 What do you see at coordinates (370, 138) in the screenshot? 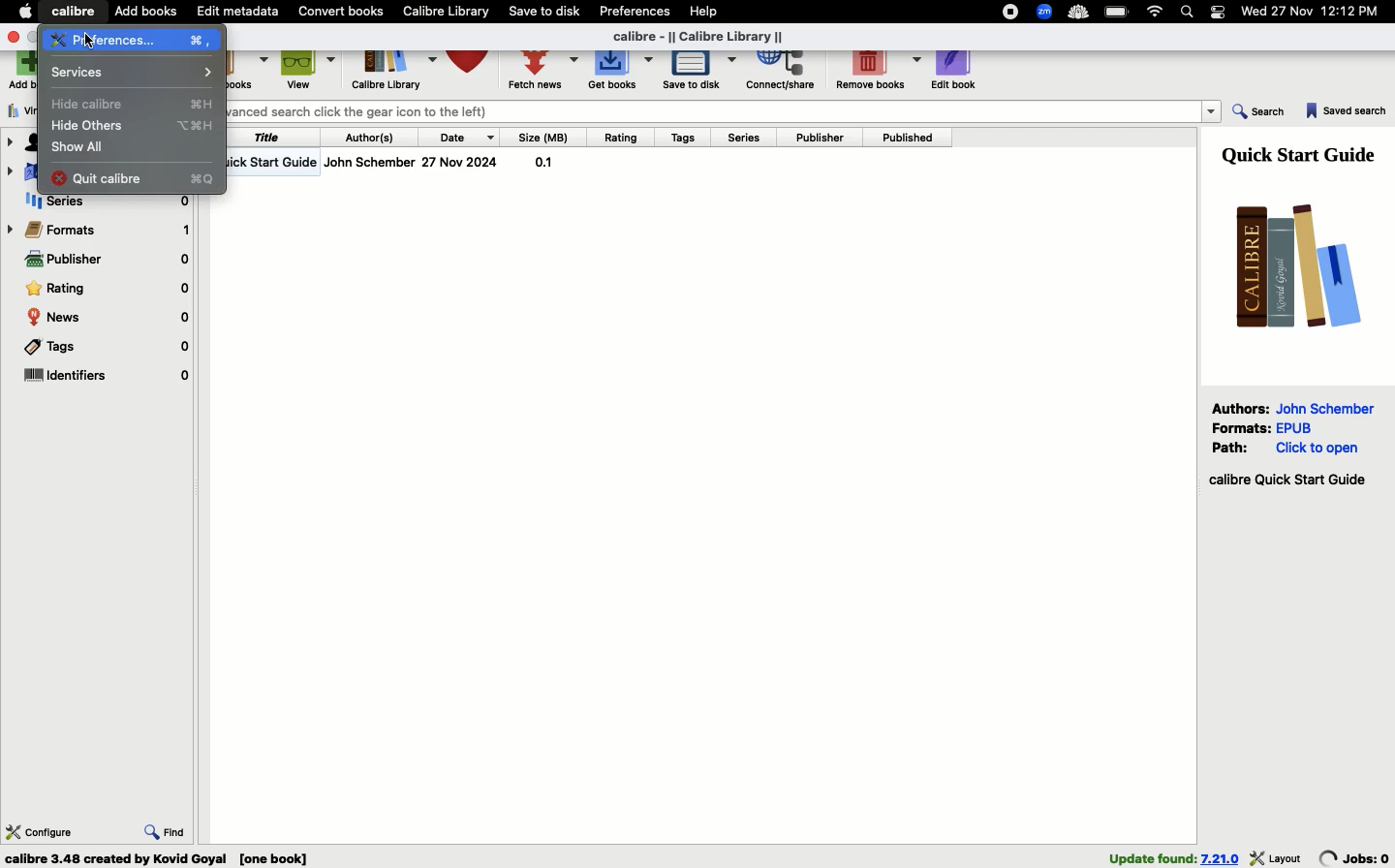
I see `Authors` at bounding box center [370, 138].